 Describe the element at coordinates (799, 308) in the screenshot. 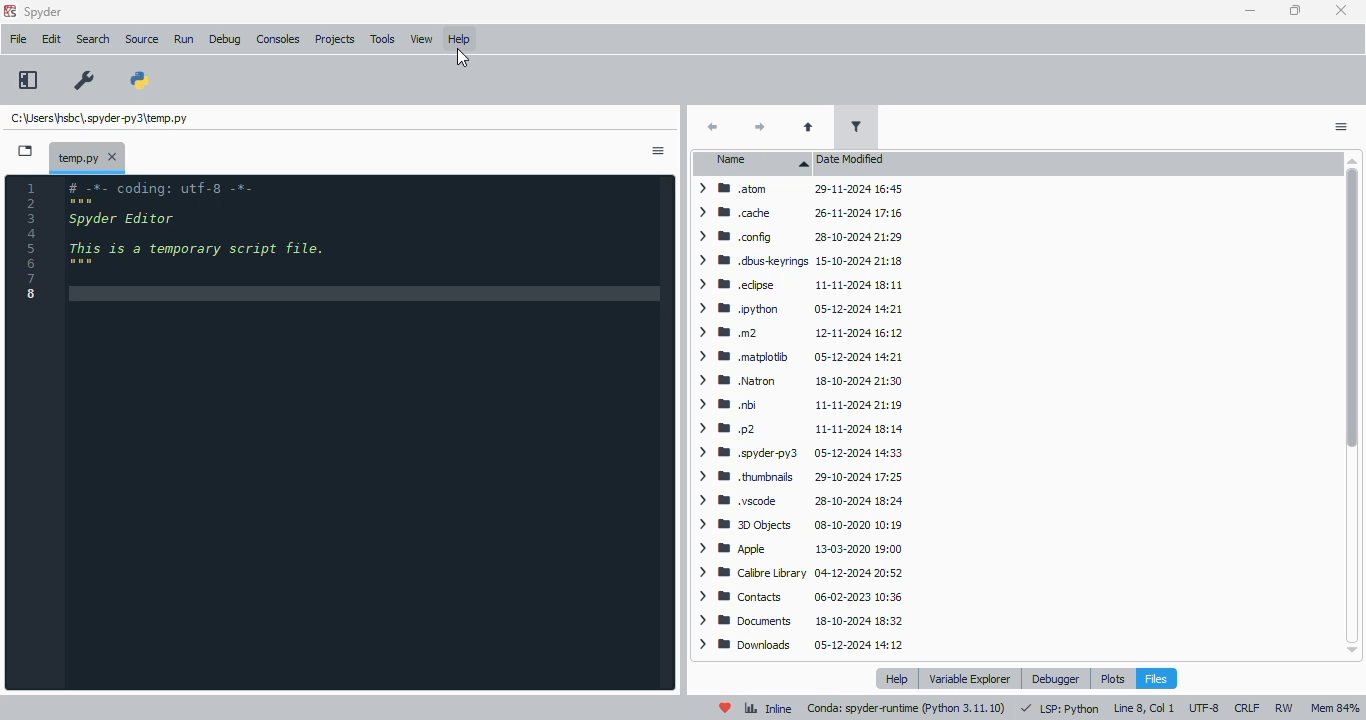

I see `> ® python 05-12-2024 14:21` at that location.